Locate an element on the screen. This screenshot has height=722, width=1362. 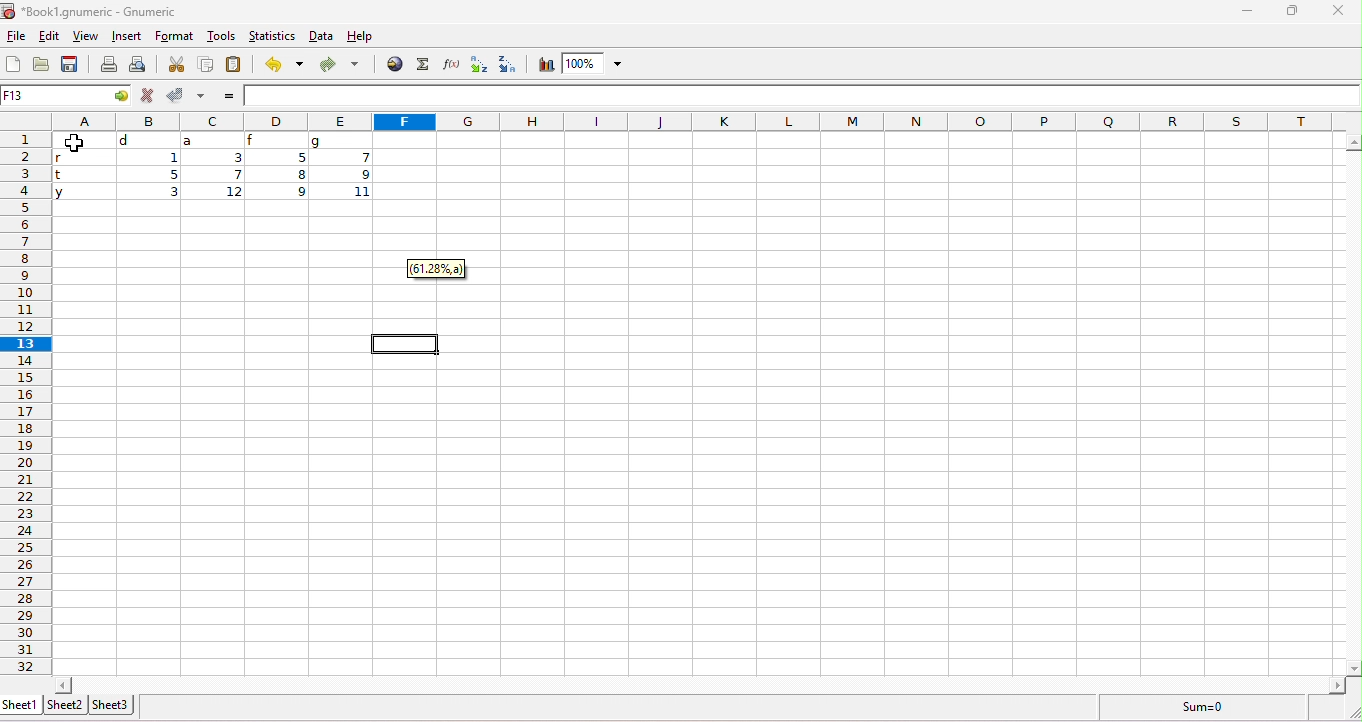
new is located at coordinates (12, 64).